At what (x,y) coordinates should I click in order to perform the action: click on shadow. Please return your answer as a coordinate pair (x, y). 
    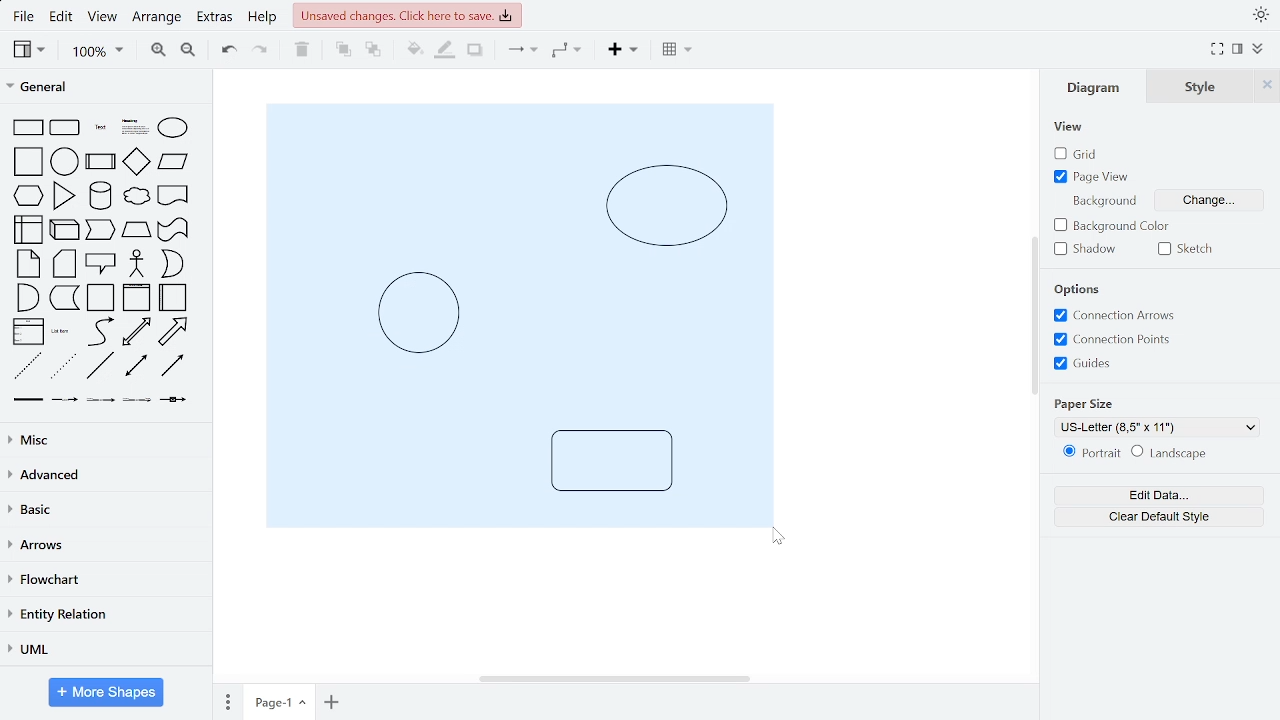
    Looking at the image, I should click on (474, 51).